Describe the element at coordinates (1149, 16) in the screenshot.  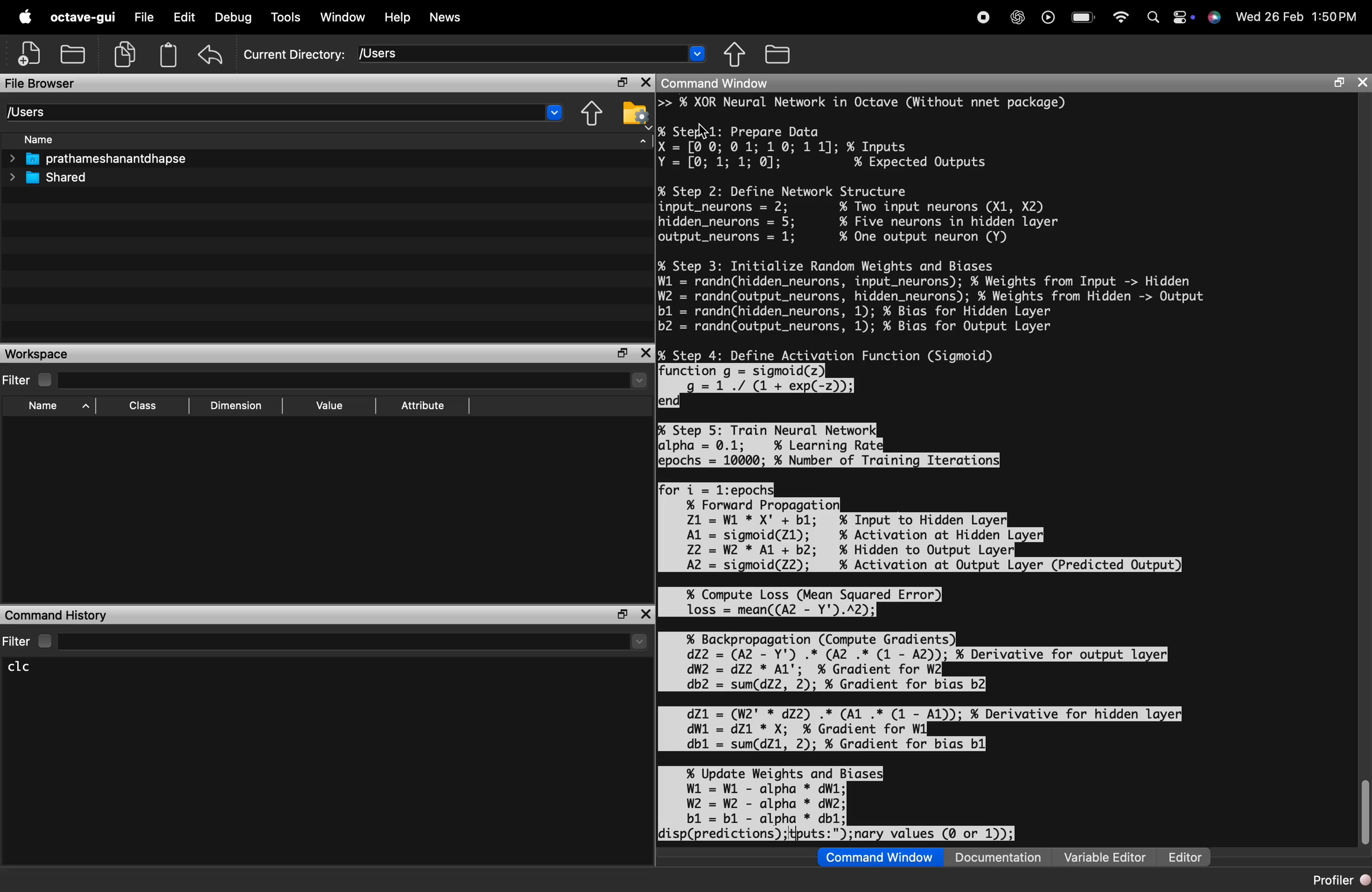
I see `Search` at that location.